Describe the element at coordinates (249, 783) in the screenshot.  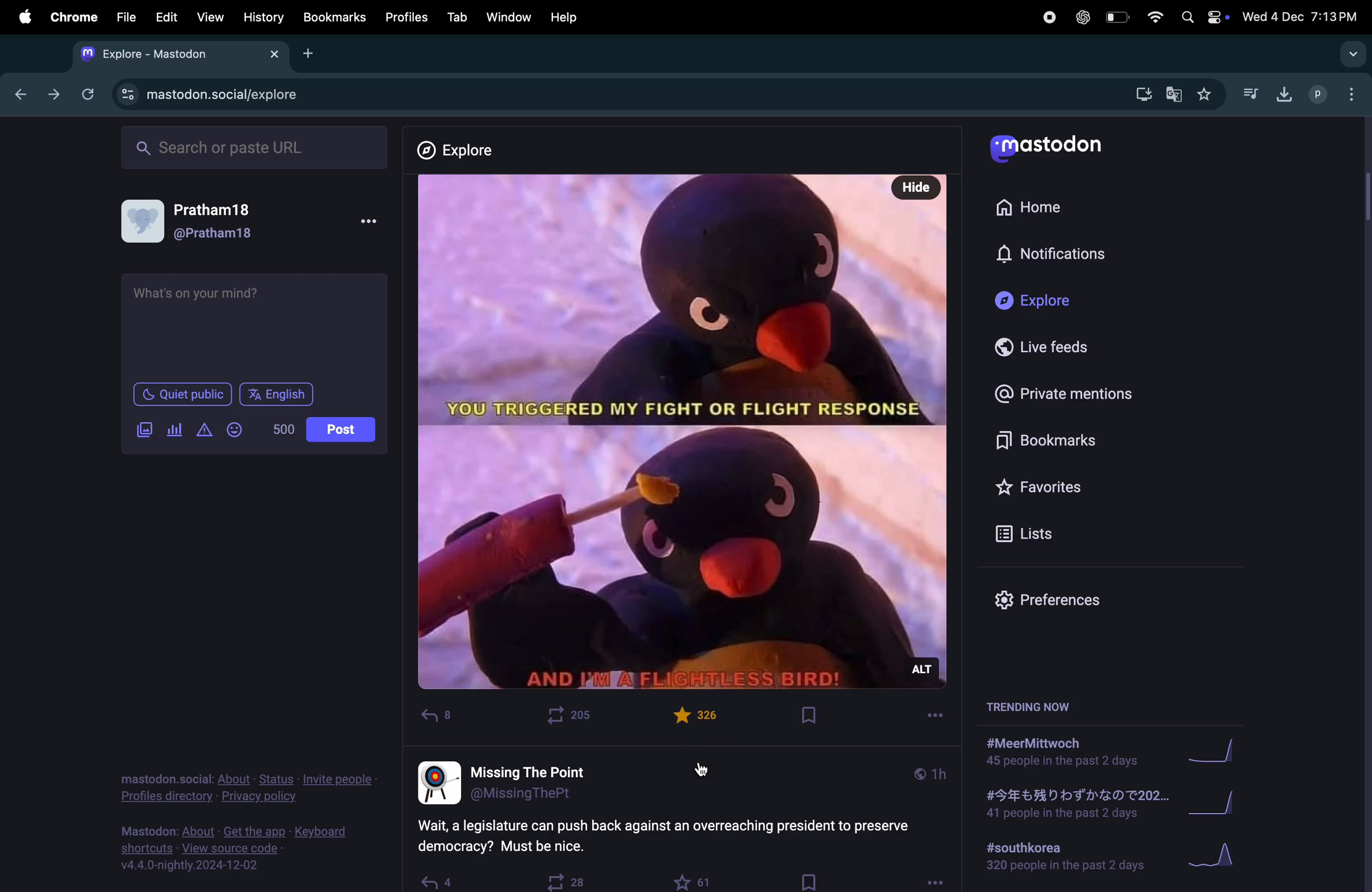
I see `profile directory` at that location.